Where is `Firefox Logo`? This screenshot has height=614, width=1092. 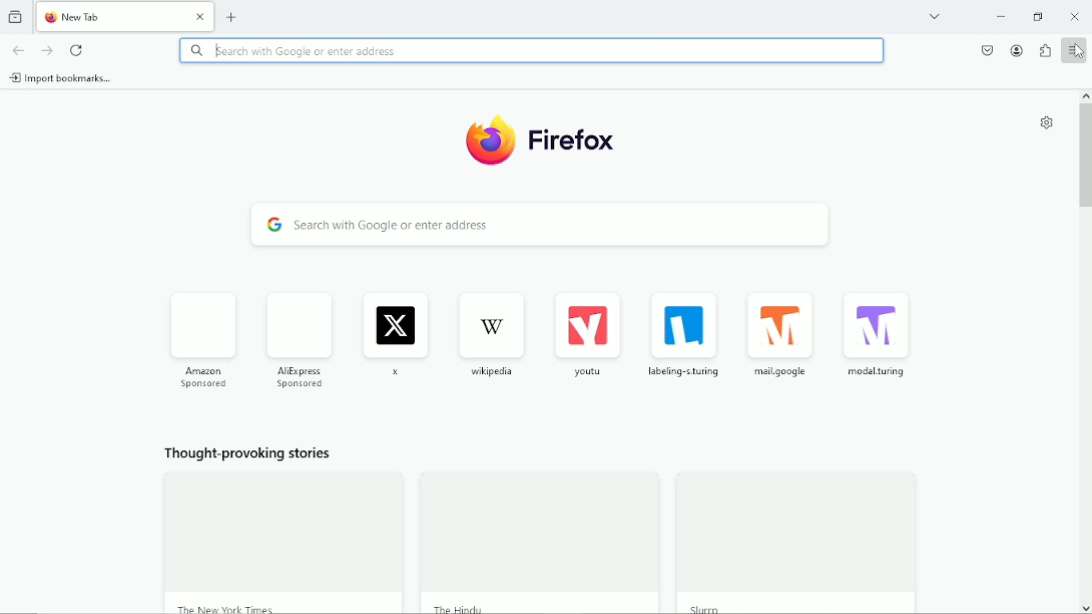 Firefox Logo is located at coordinates (545, 141).